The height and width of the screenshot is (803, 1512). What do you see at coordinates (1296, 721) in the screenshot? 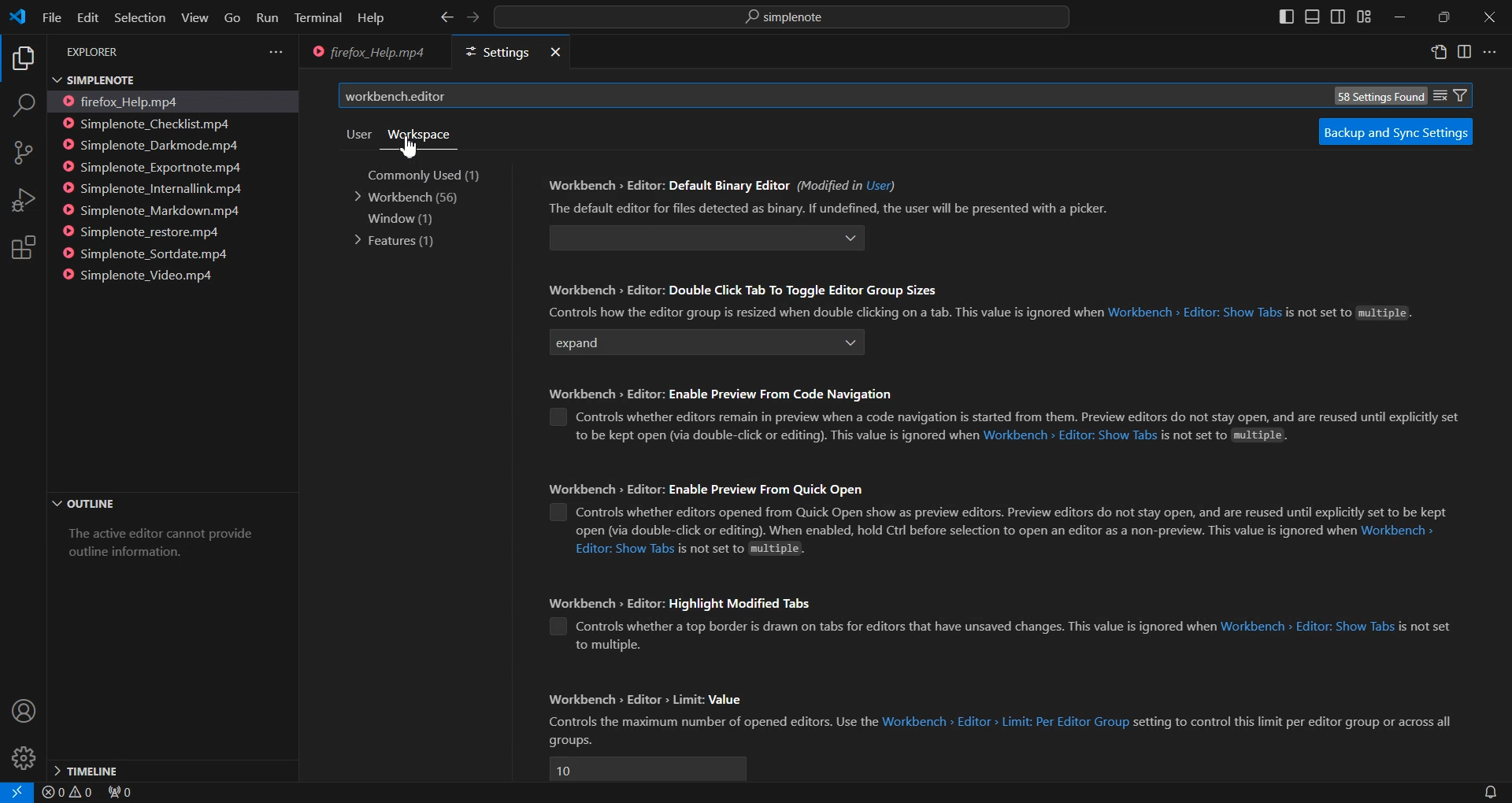
I see `setting to control this limit per editor group or across all` at bounding box center [1296, 721].